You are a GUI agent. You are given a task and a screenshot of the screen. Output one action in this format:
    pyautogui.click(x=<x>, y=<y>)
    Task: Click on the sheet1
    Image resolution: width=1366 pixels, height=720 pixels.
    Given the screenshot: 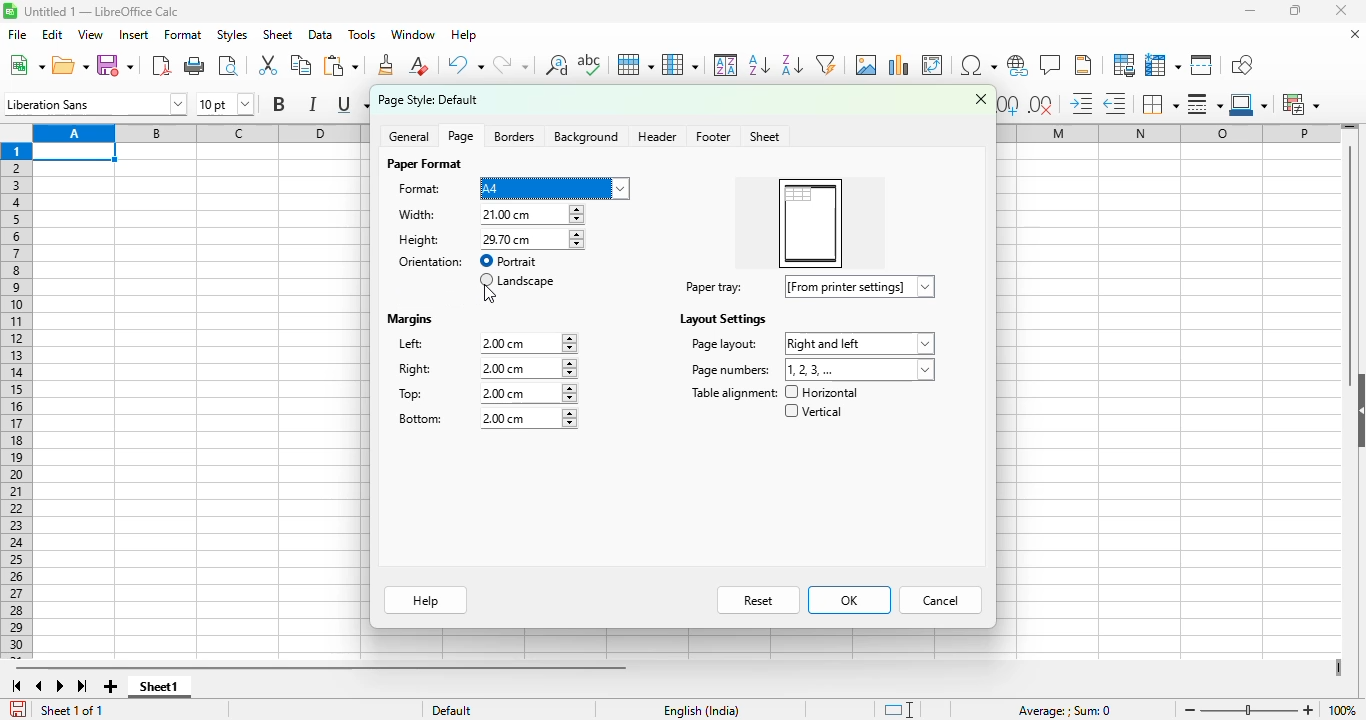 What is the action you would take?
    pyautogui.click(x=161, y=687)
    